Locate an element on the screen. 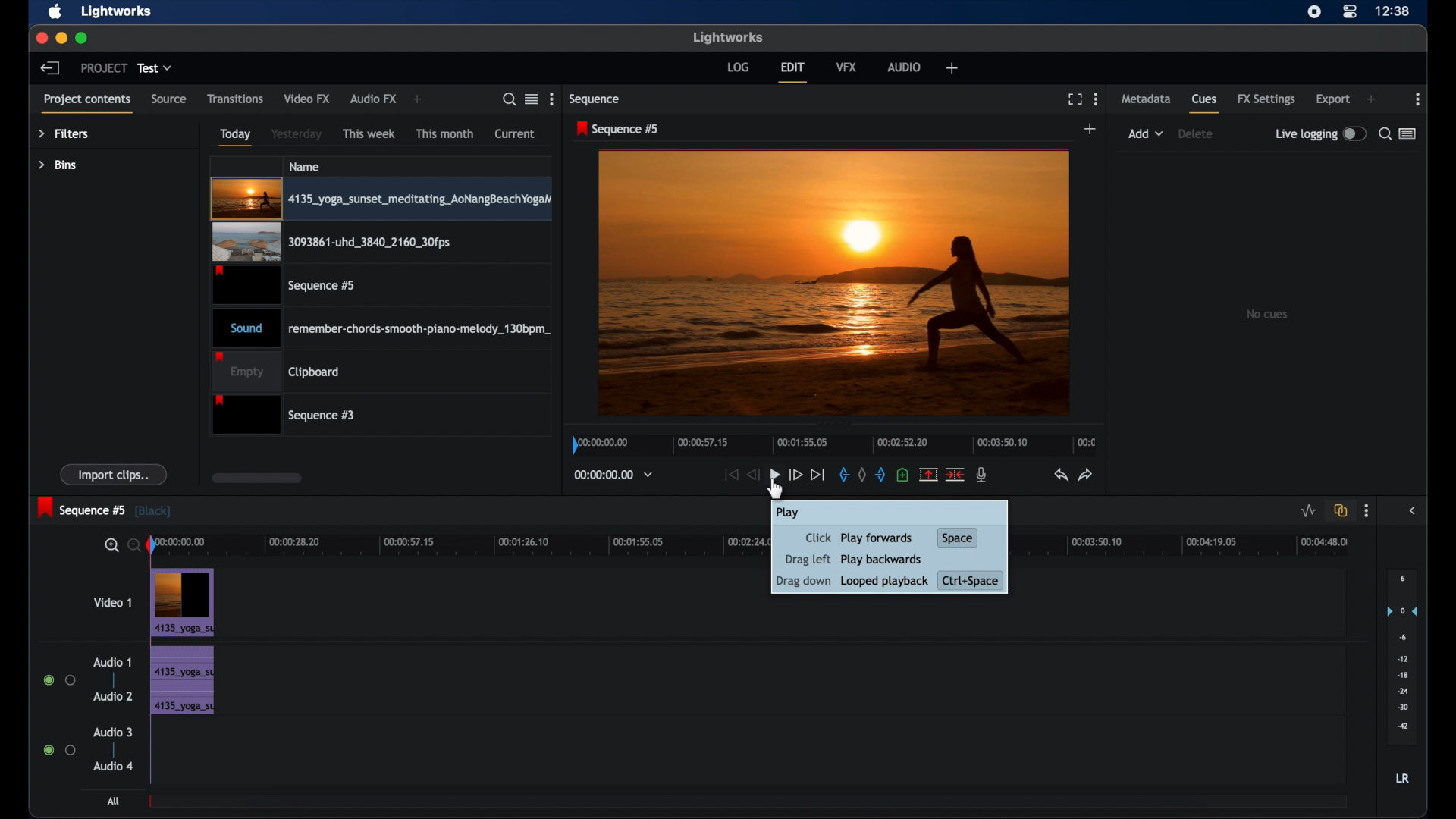 The width and height of the screenshot is (1456, 819). more options is located at coordinates (1097, 99).